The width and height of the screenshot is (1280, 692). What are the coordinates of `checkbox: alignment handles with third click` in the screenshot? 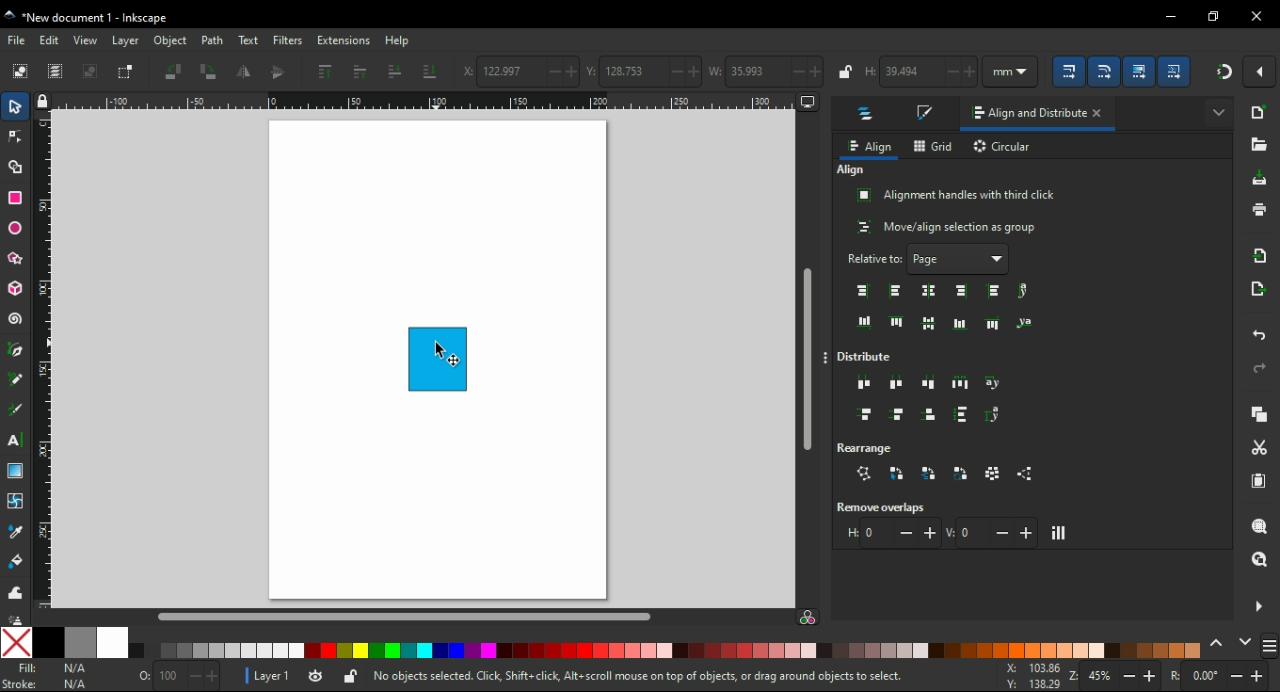 It's located at (957, 196).